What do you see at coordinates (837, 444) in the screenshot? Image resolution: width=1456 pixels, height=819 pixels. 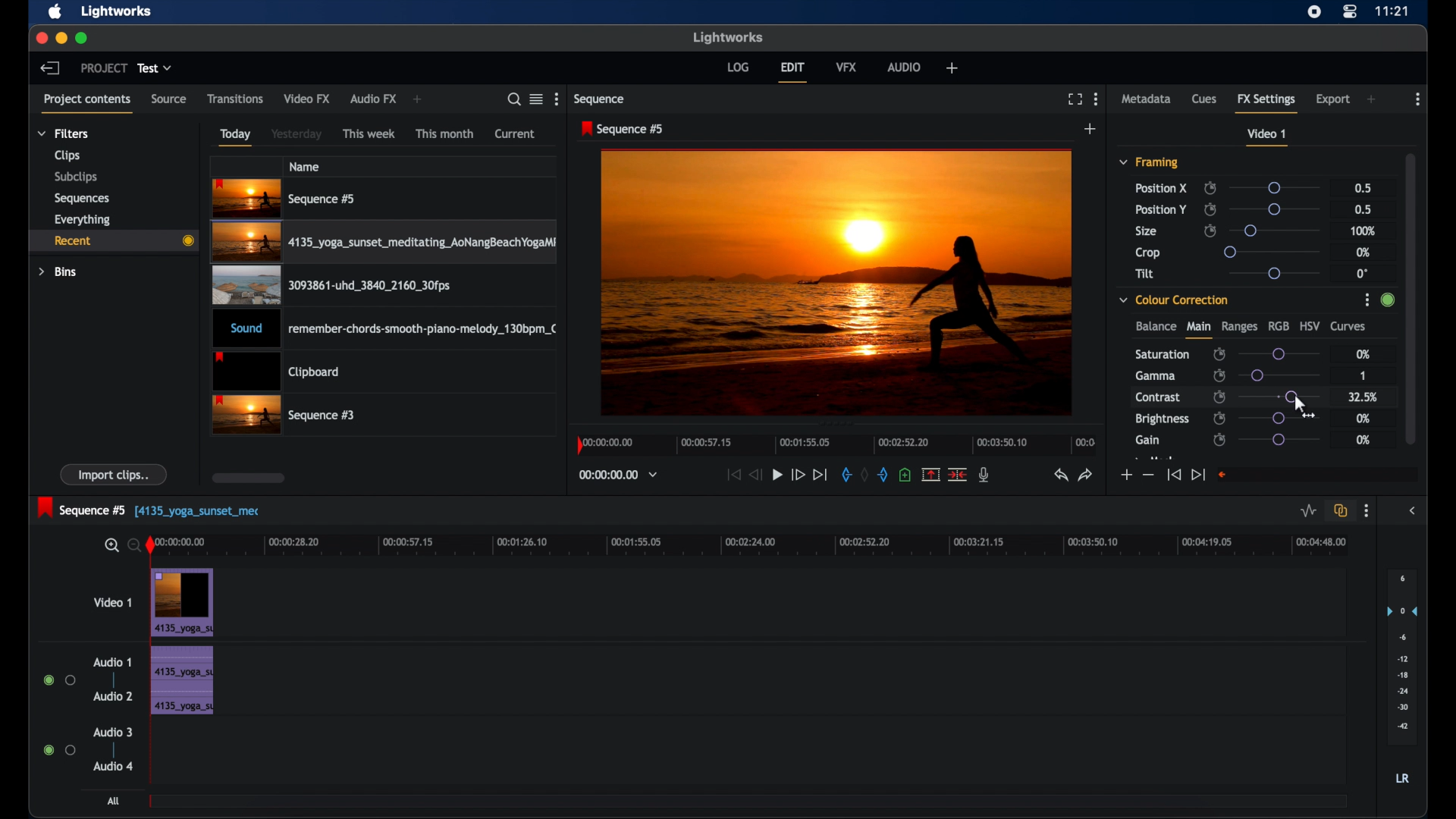 I see `timeline` at bounding box center [837, 444].